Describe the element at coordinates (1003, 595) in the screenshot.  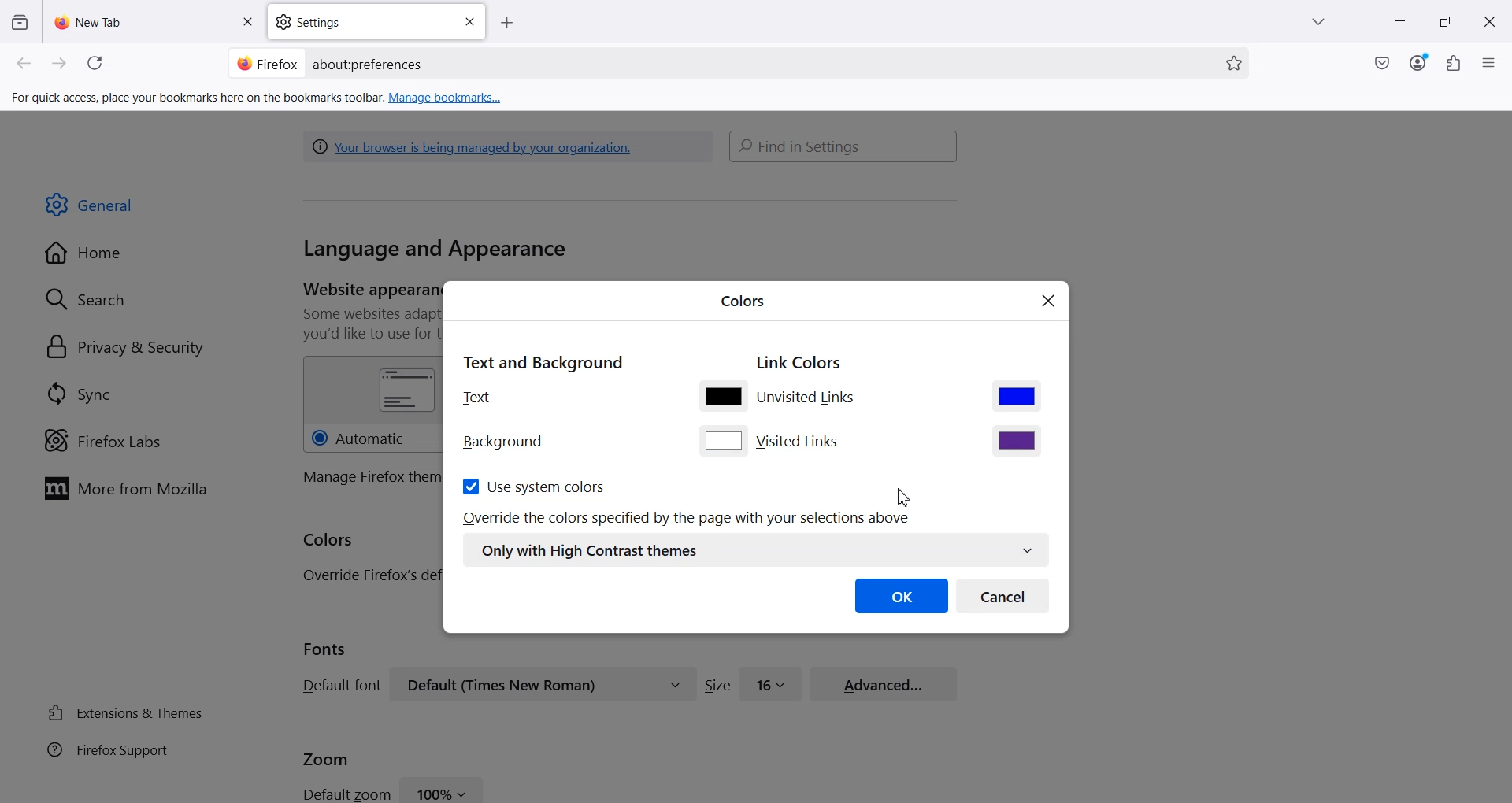
I see `Cancel` at that location.